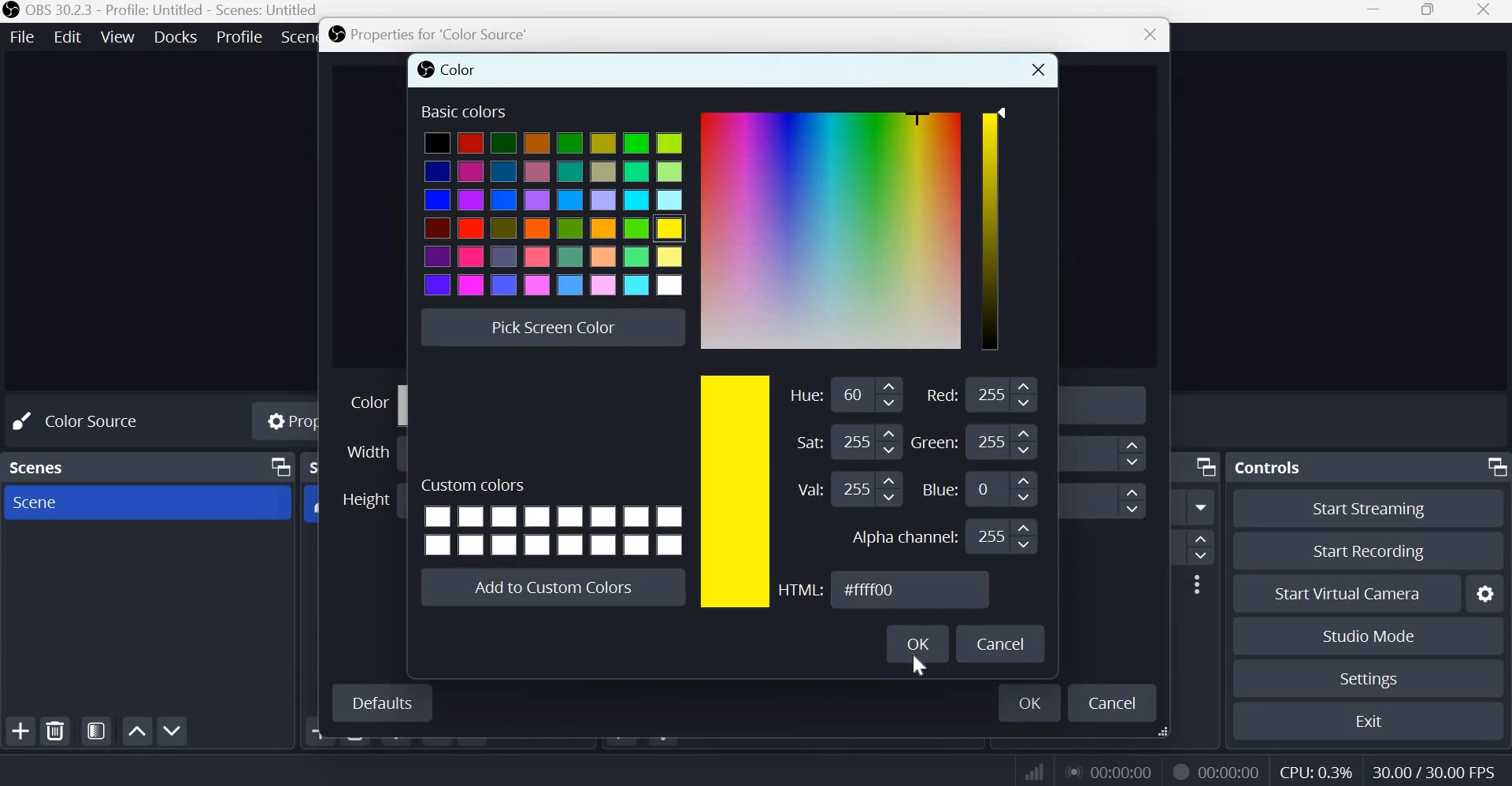  What do you see at coordinates (361, 404) in the screenshot?
I see `Color` at bounding box center [361, 404].